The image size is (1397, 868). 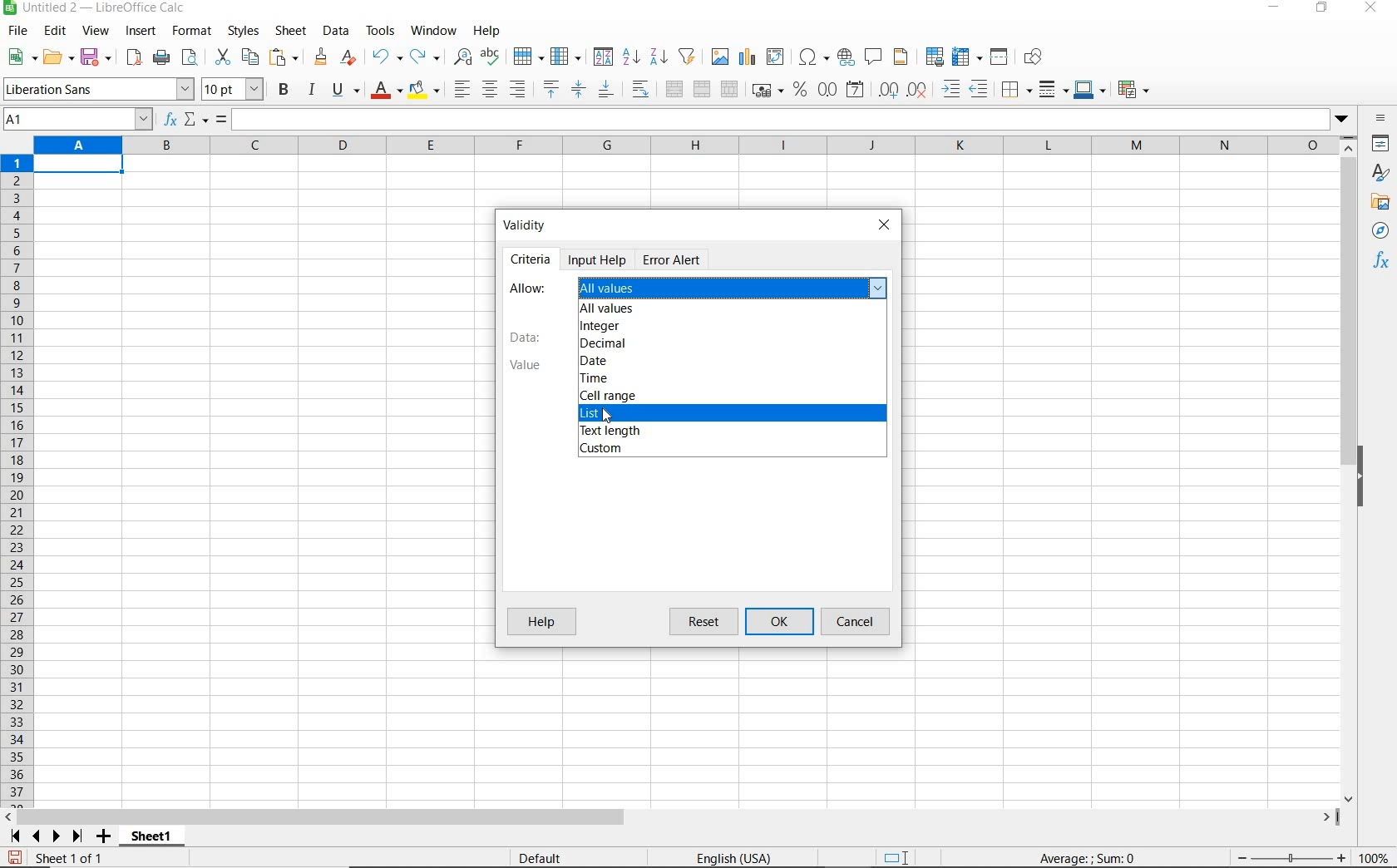 I want to click on file name, so click(x=95, y=9).